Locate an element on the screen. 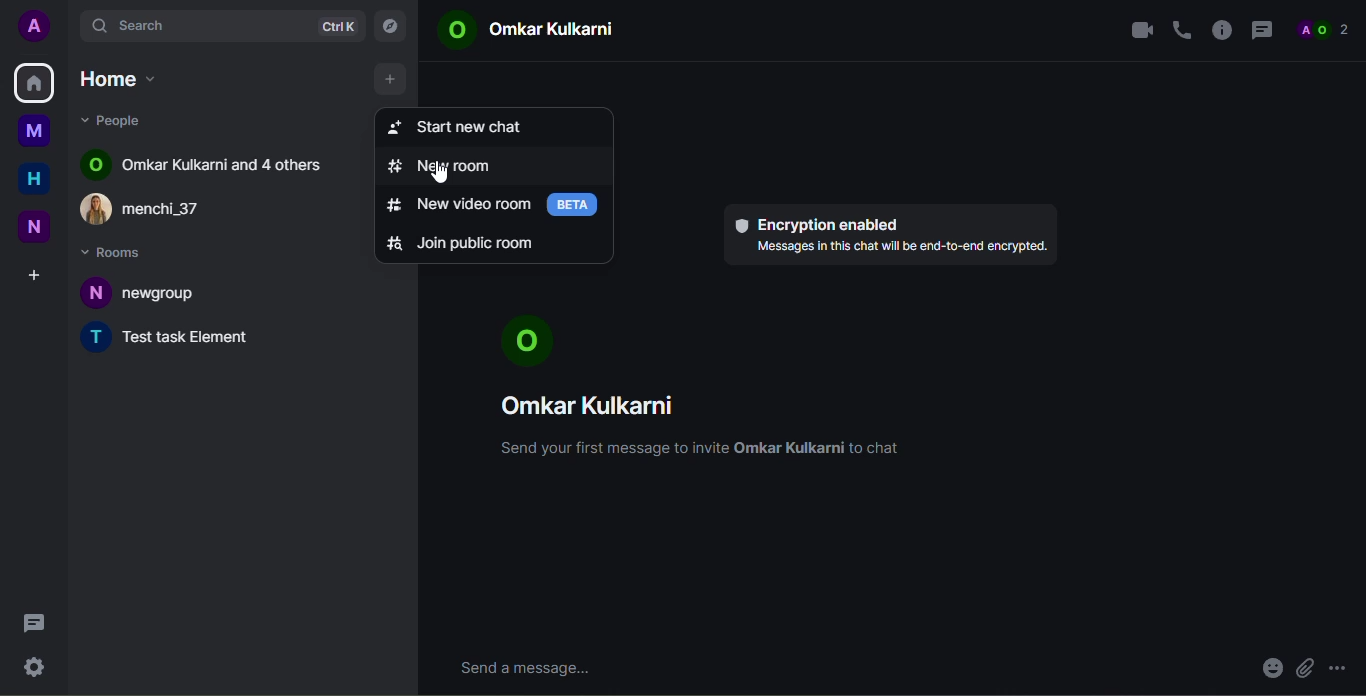 This screenshot has width=1366, height=696. home is located at coordinates (34, 180).